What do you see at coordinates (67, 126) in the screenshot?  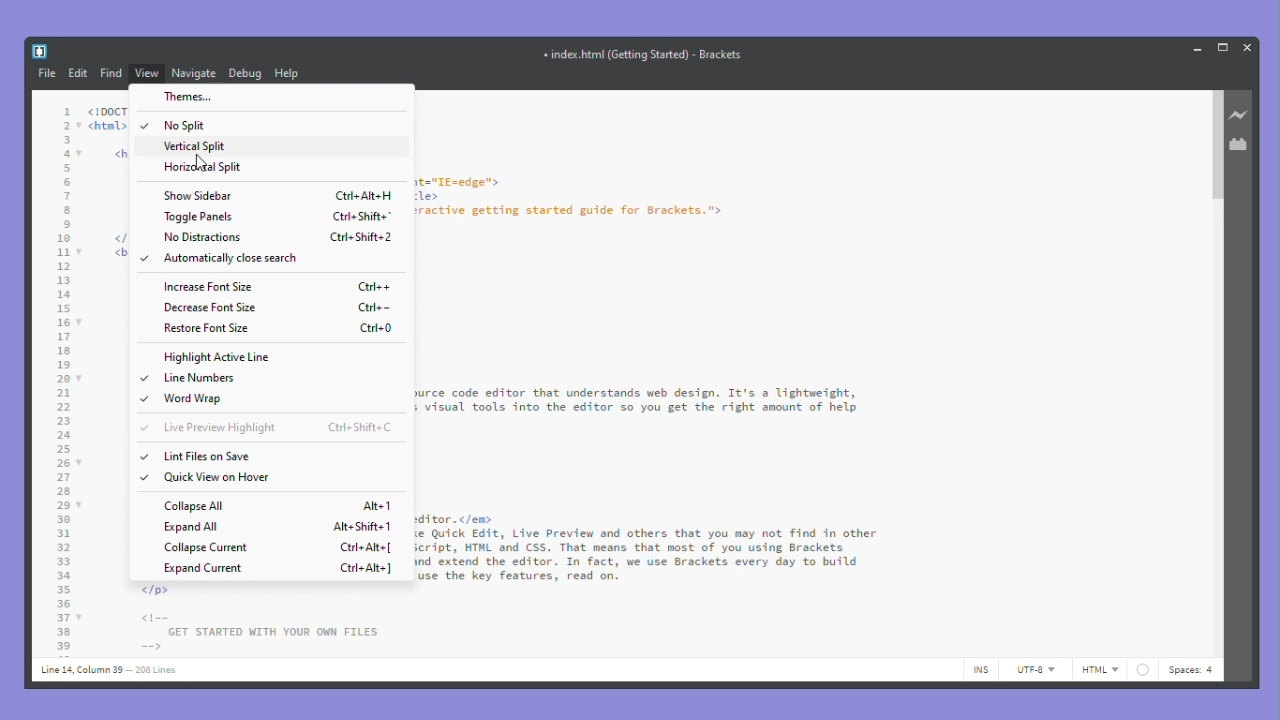 I see `2` at bounding box center [67, 126].